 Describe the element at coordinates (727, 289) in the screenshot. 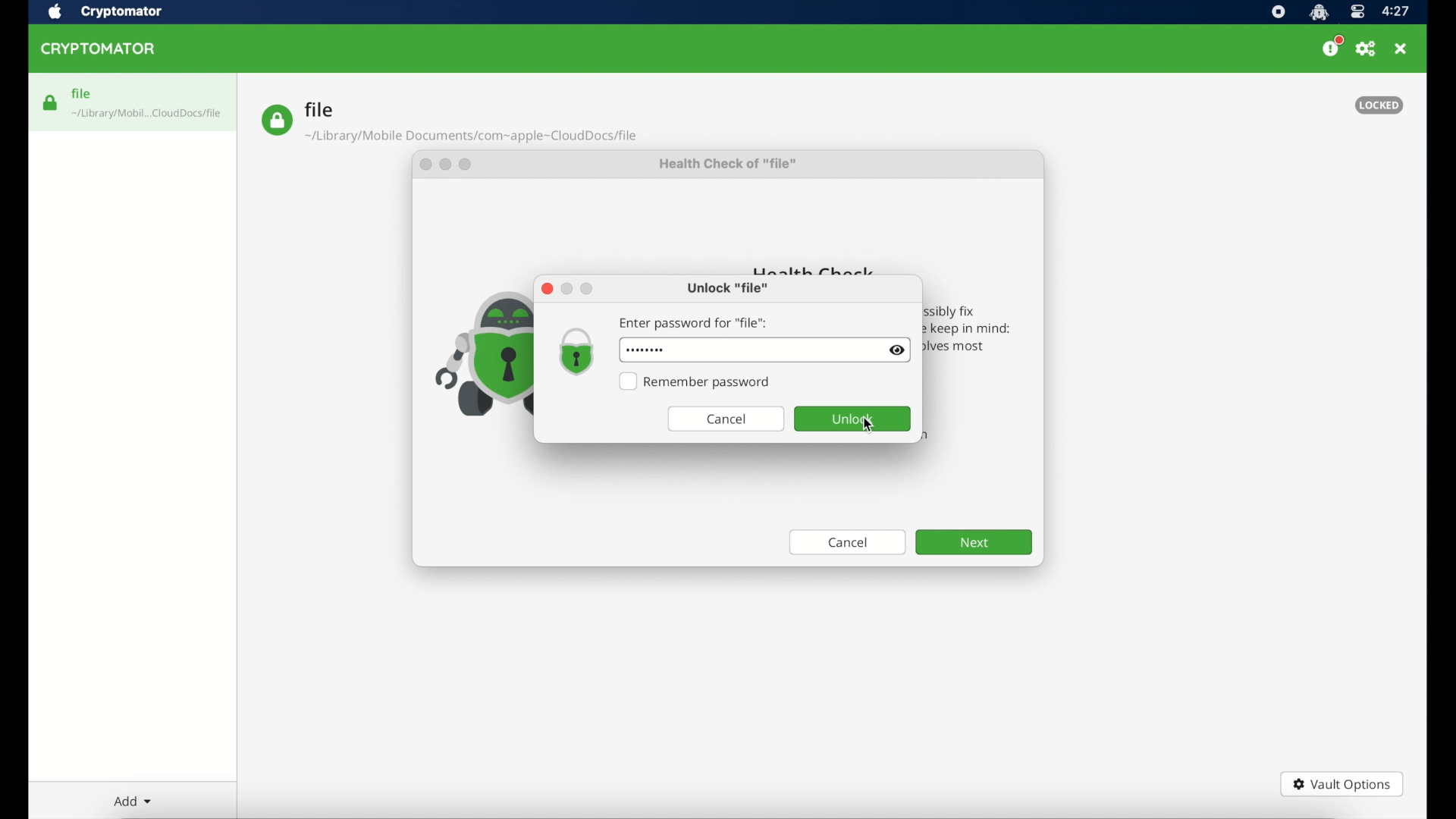

I see `unlock file` at that location.